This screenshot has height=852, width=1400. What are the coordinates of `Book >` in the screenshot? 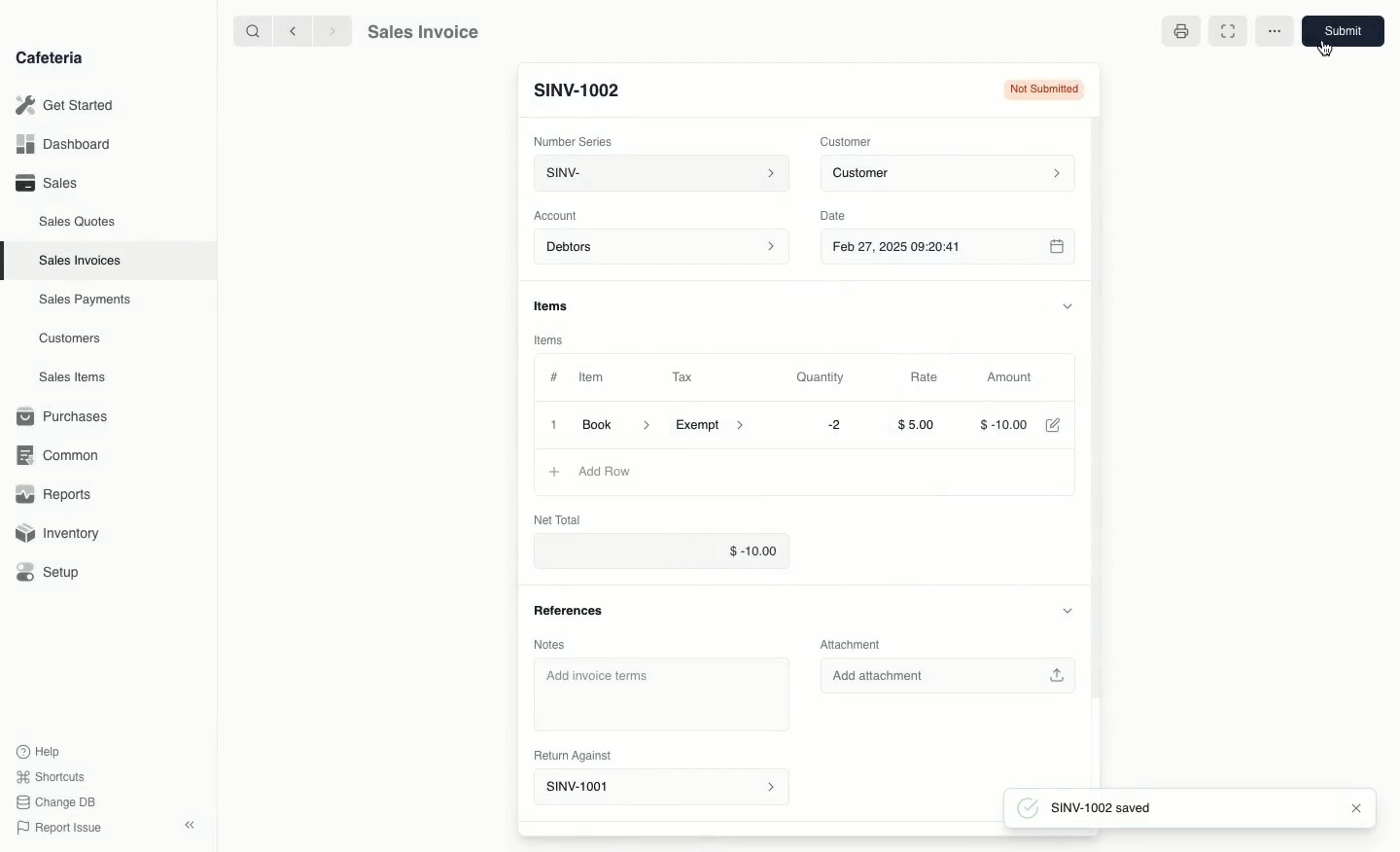 It's located at (619, 423).